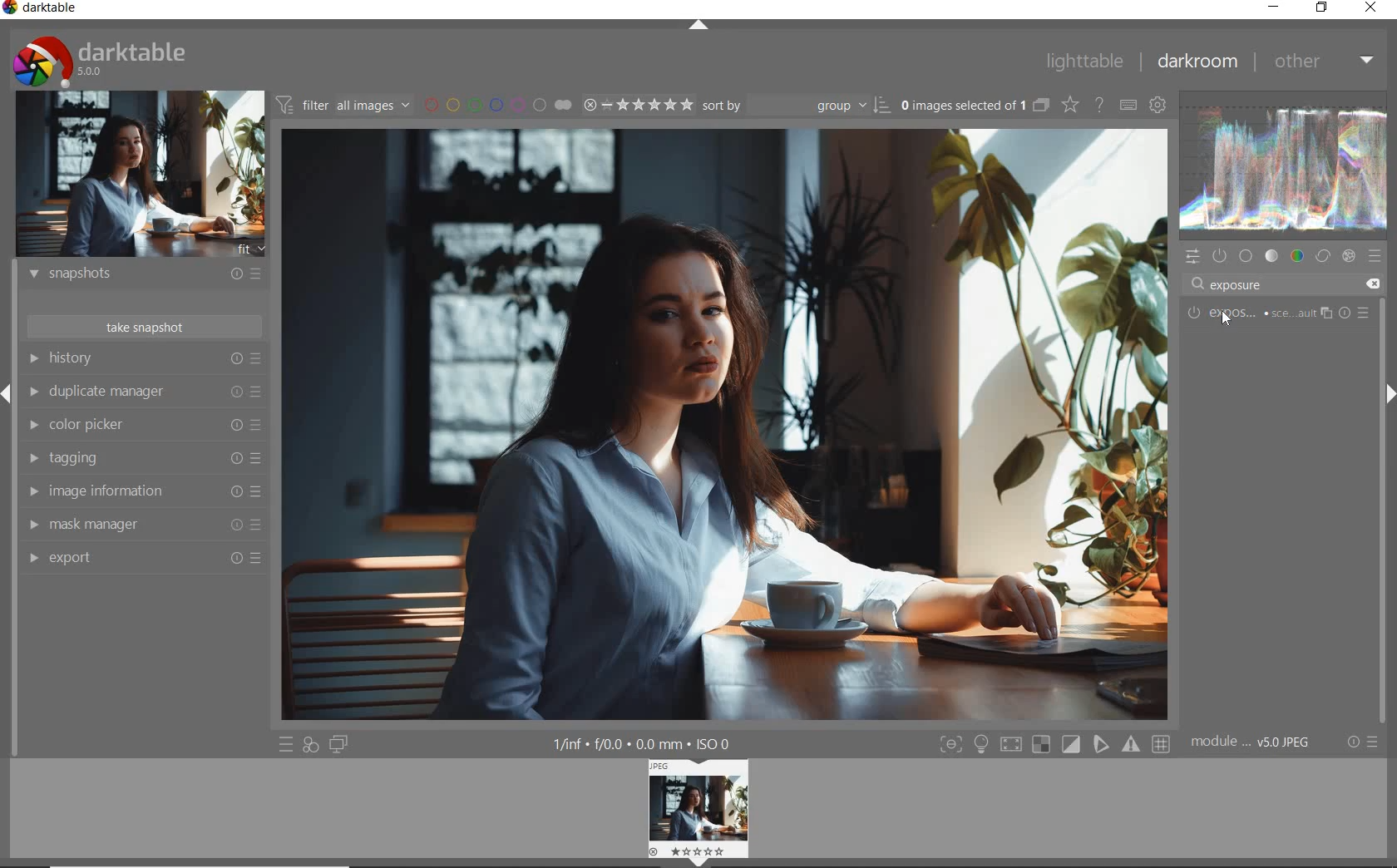 The width and height of the screenshot is (1397, 868). What do you see at coordinates (343, 103) in the screenshot?
I see `filter images based on their modules` at bounding box center [343, 103].